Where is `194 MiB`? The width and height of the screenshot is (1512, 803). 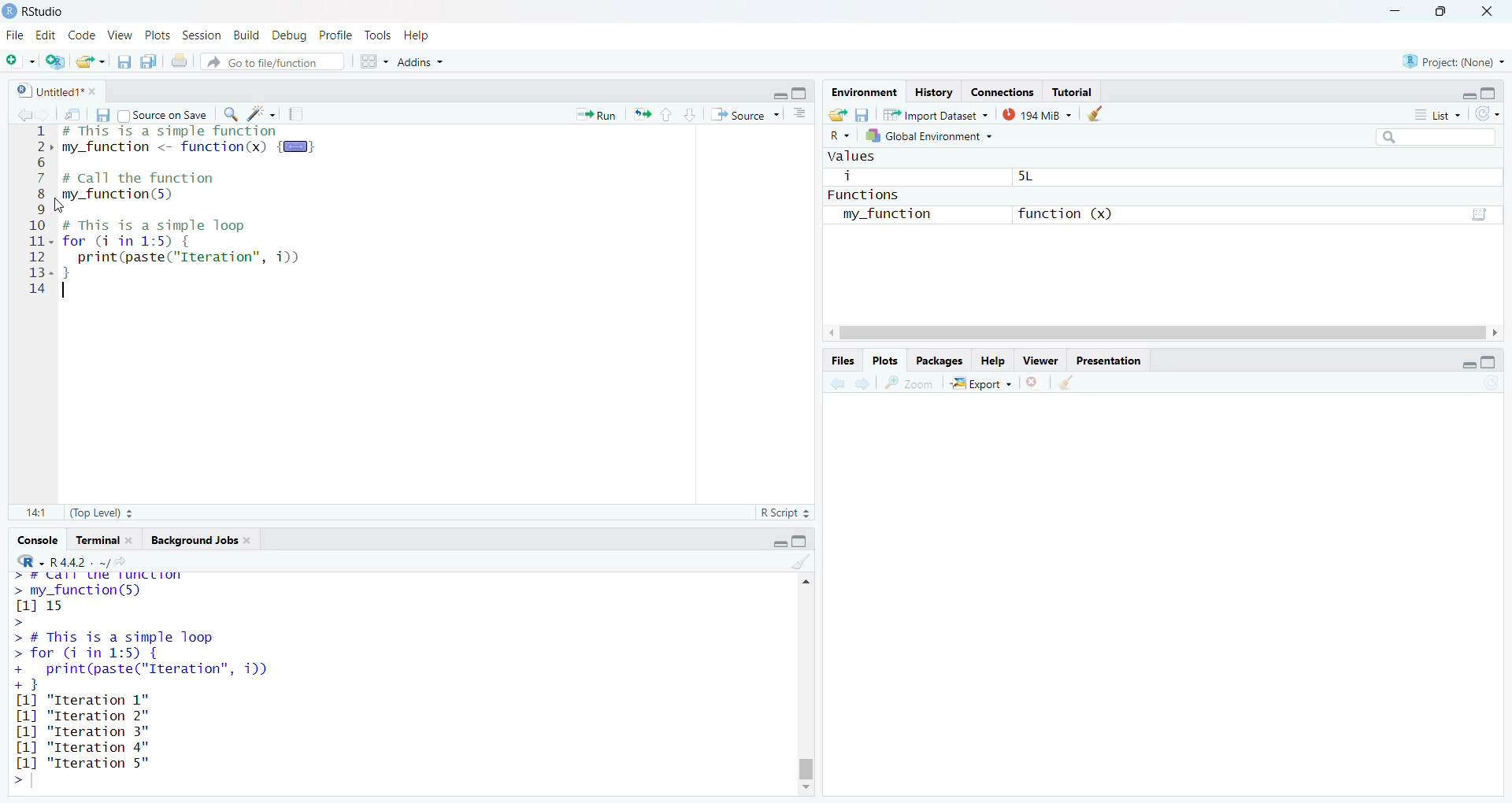 194 MiB is located at coordinates (1036, 117).